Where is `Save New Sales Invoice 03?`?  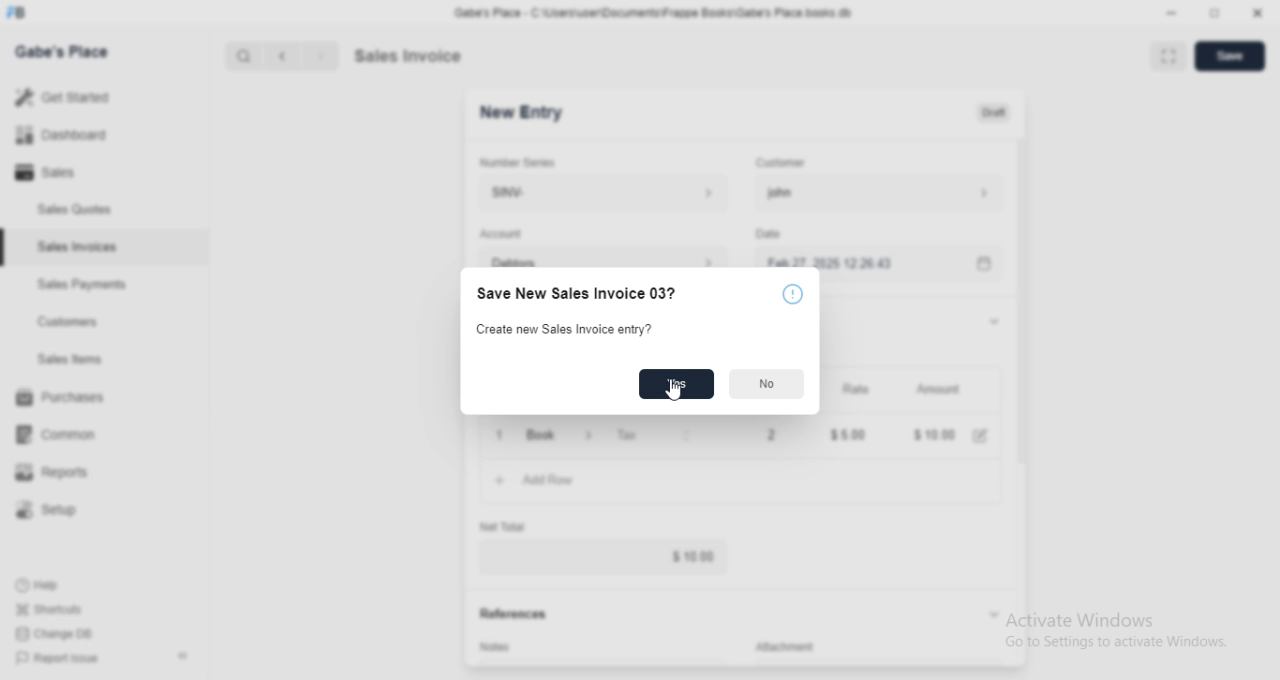
Save New Sales Invoice 03? is located at coordinates (574, 294).